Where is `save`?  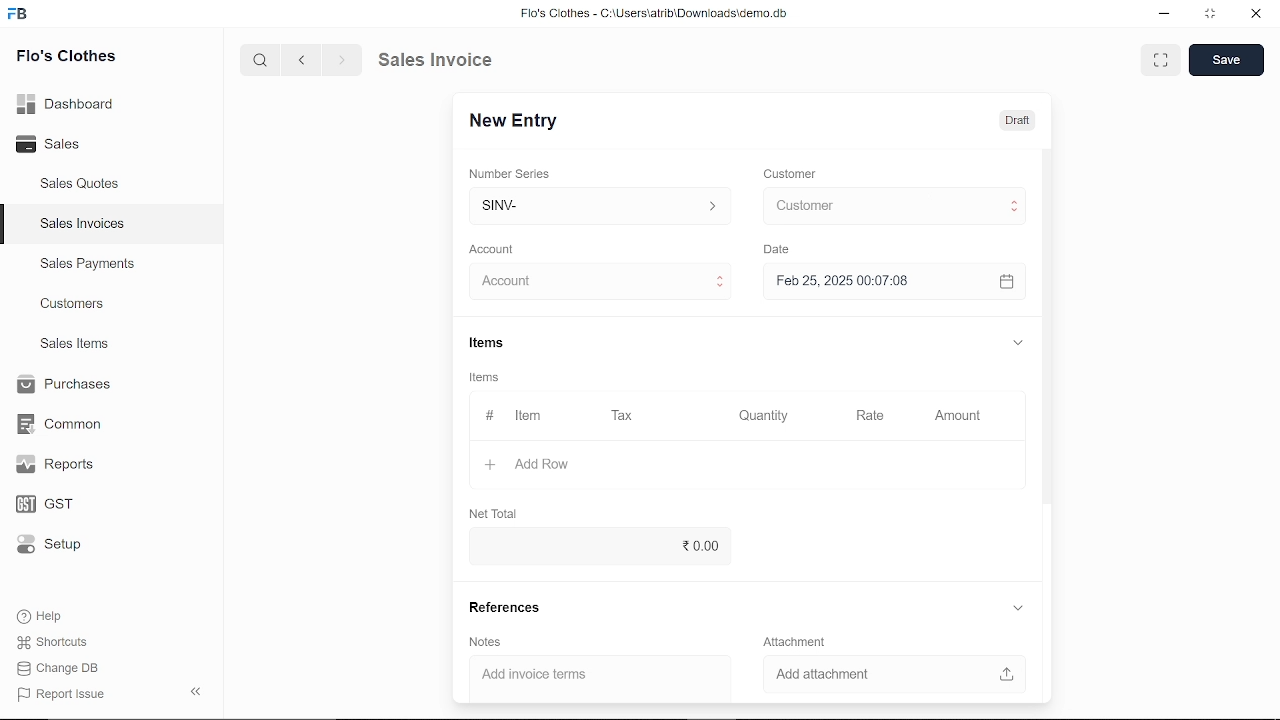 save is located at coordinates (1227, 60).